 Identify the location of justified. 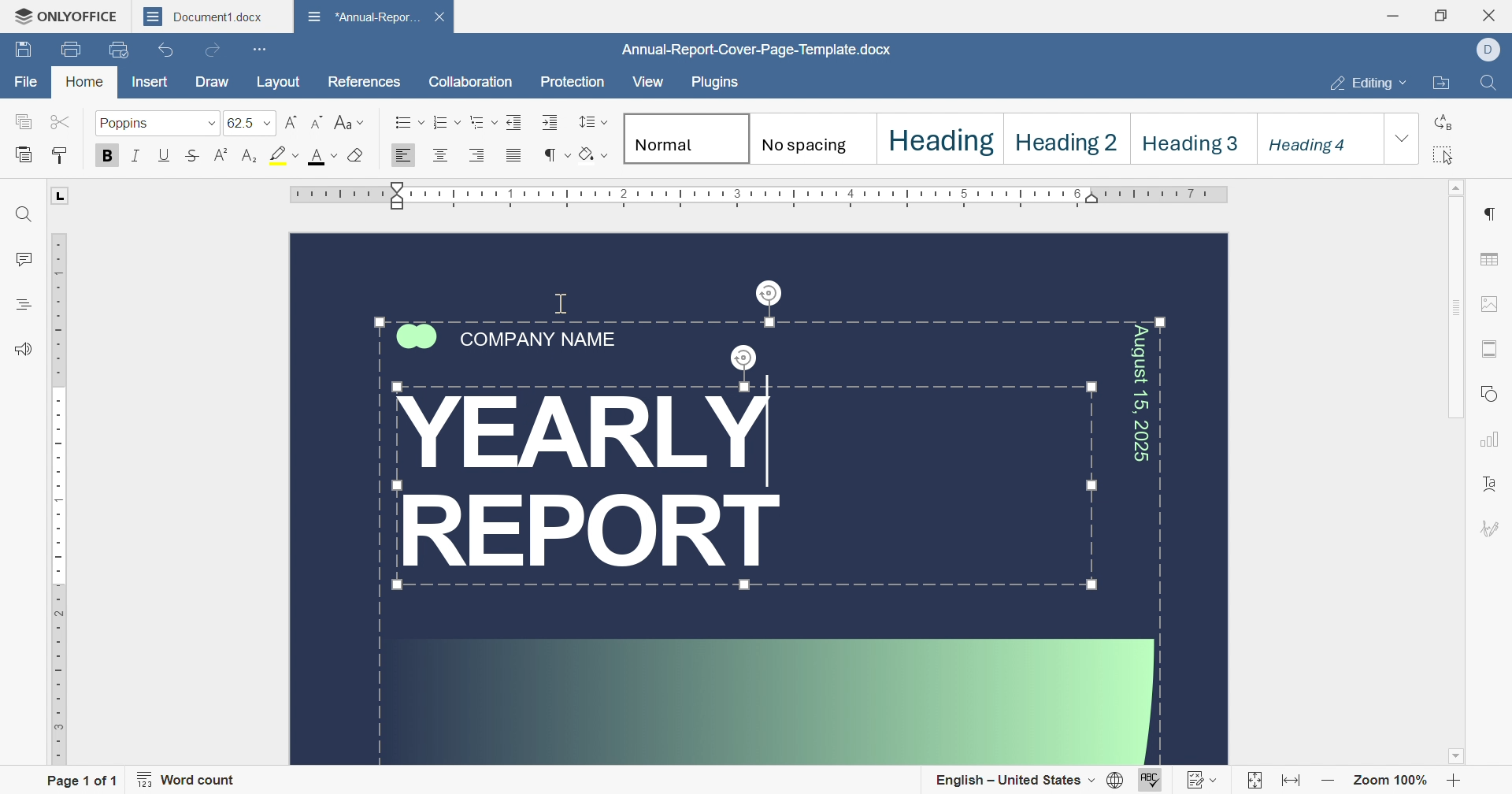
(518, 157).